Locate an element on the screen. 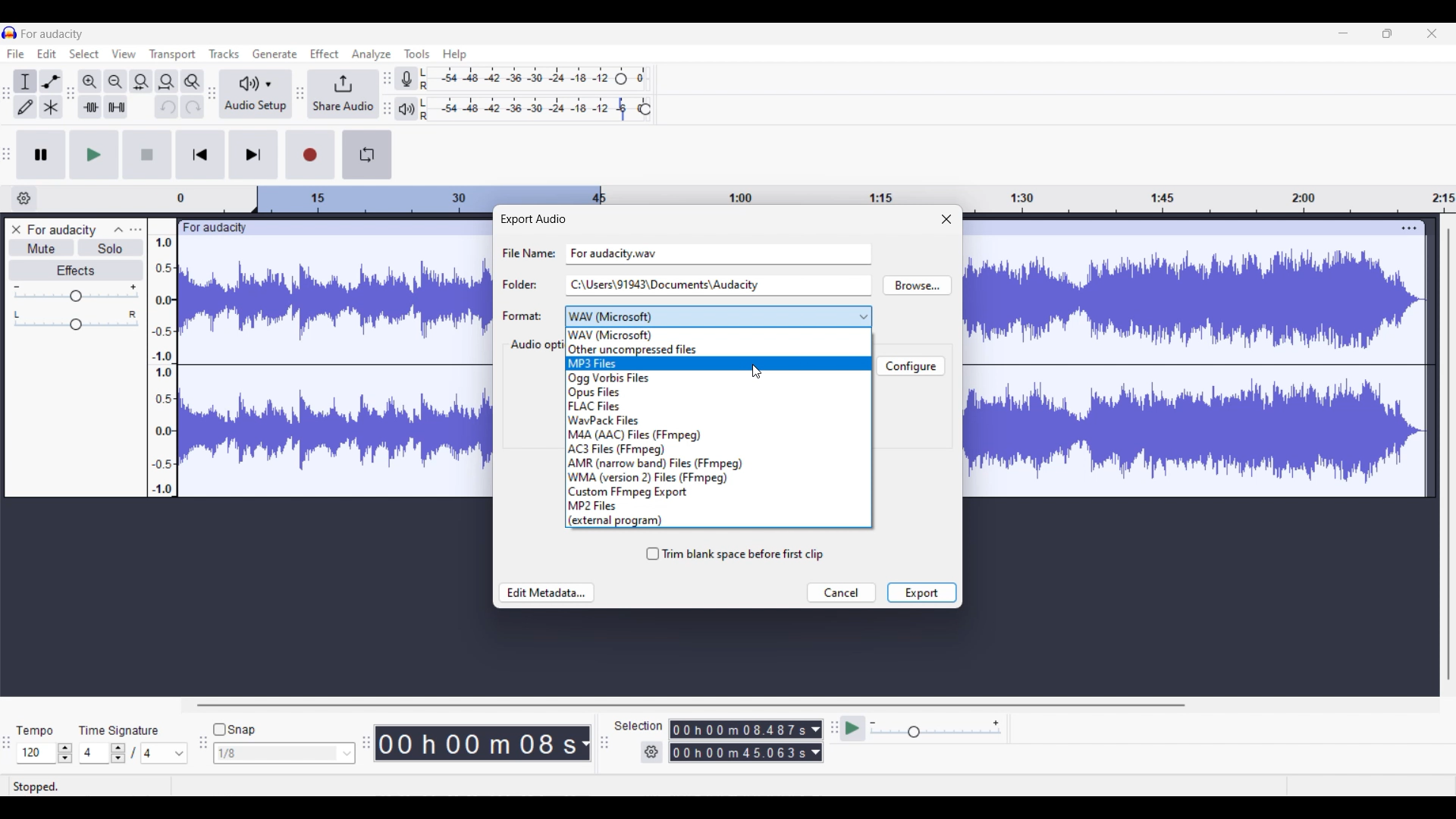  Snap options is located at coordinates (284, 753).